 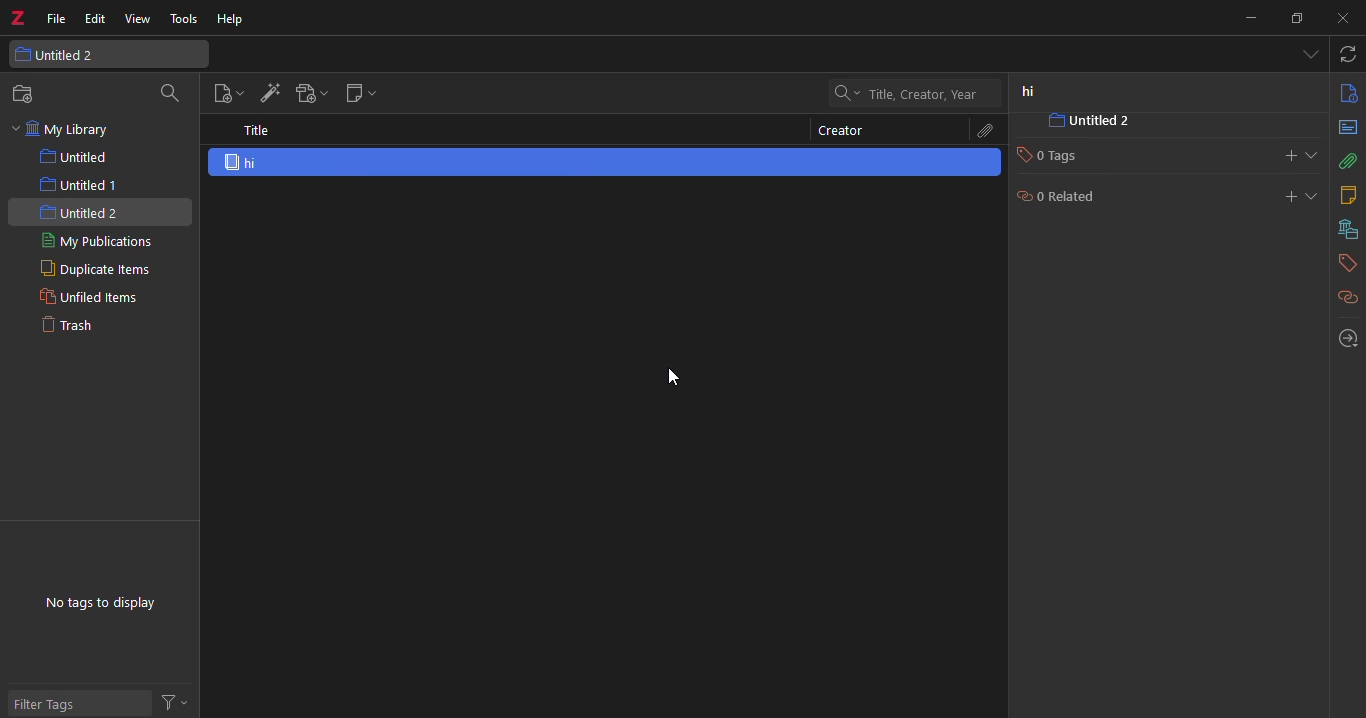 I want to click on Untitled 2, so click(x=1110, y=123).